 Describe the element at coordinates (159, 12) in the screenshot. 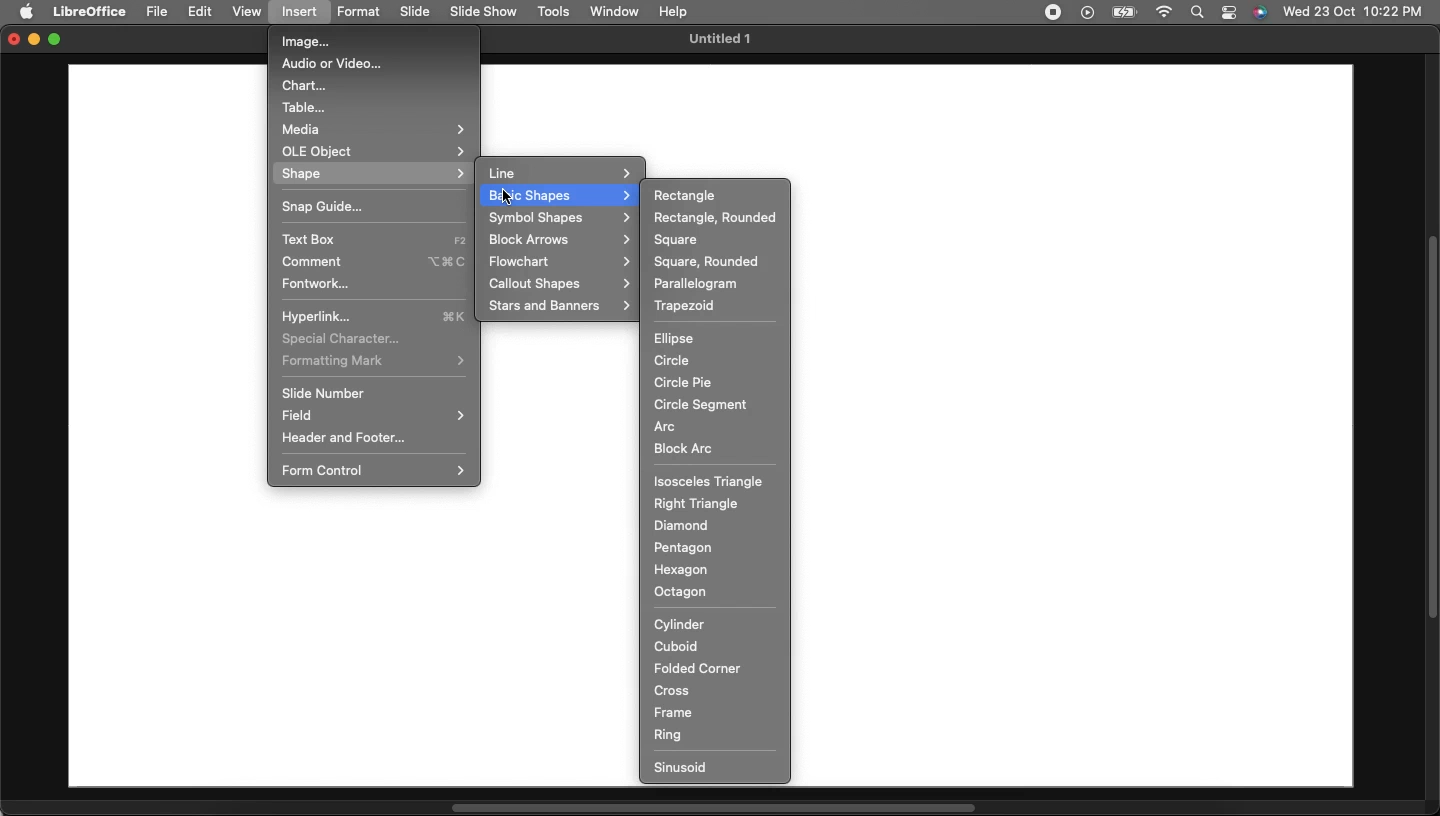

I see `File` at that location.